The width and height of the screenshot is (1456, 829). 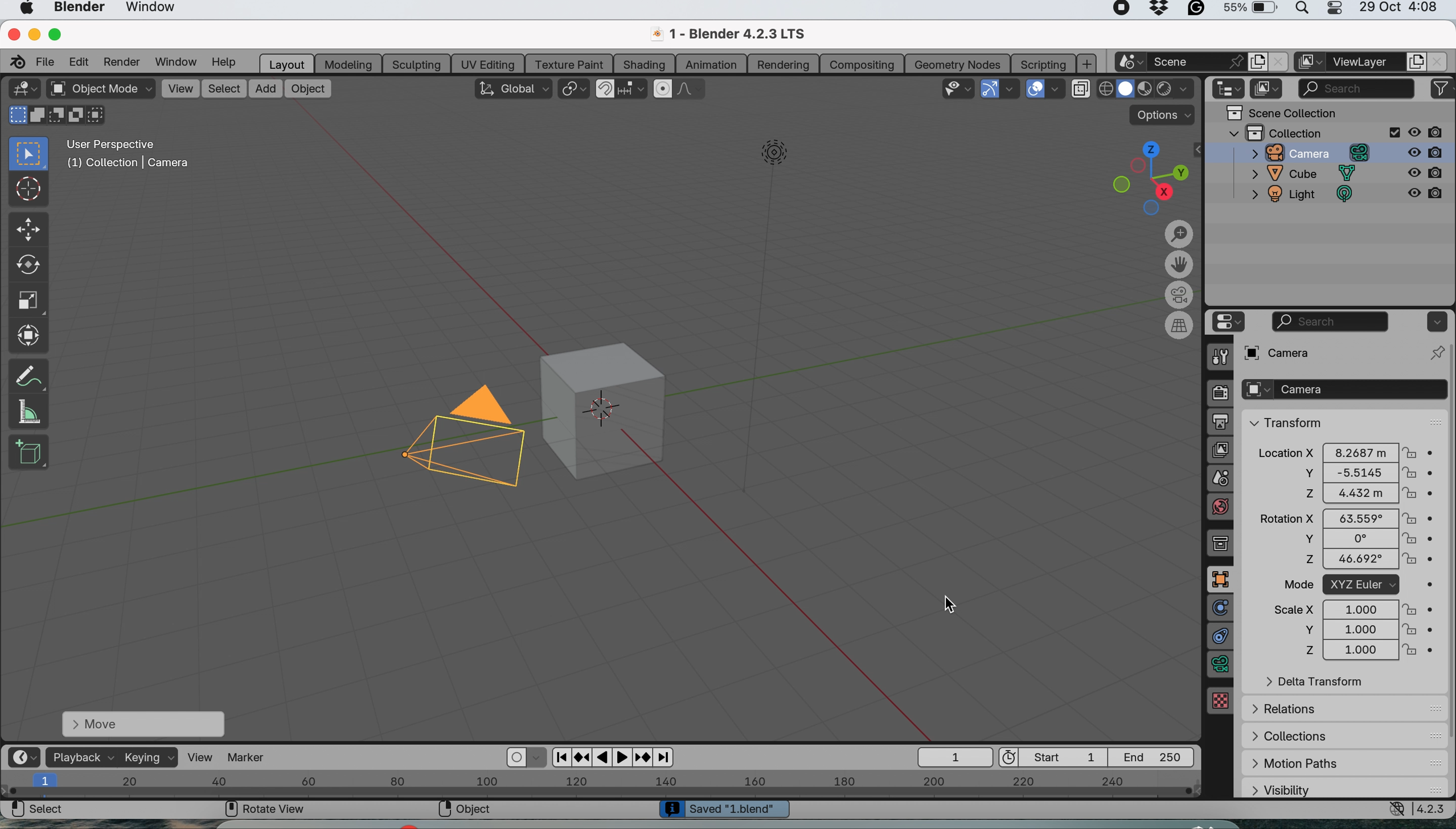 I want to click on marker, so click(x=247, y=756).